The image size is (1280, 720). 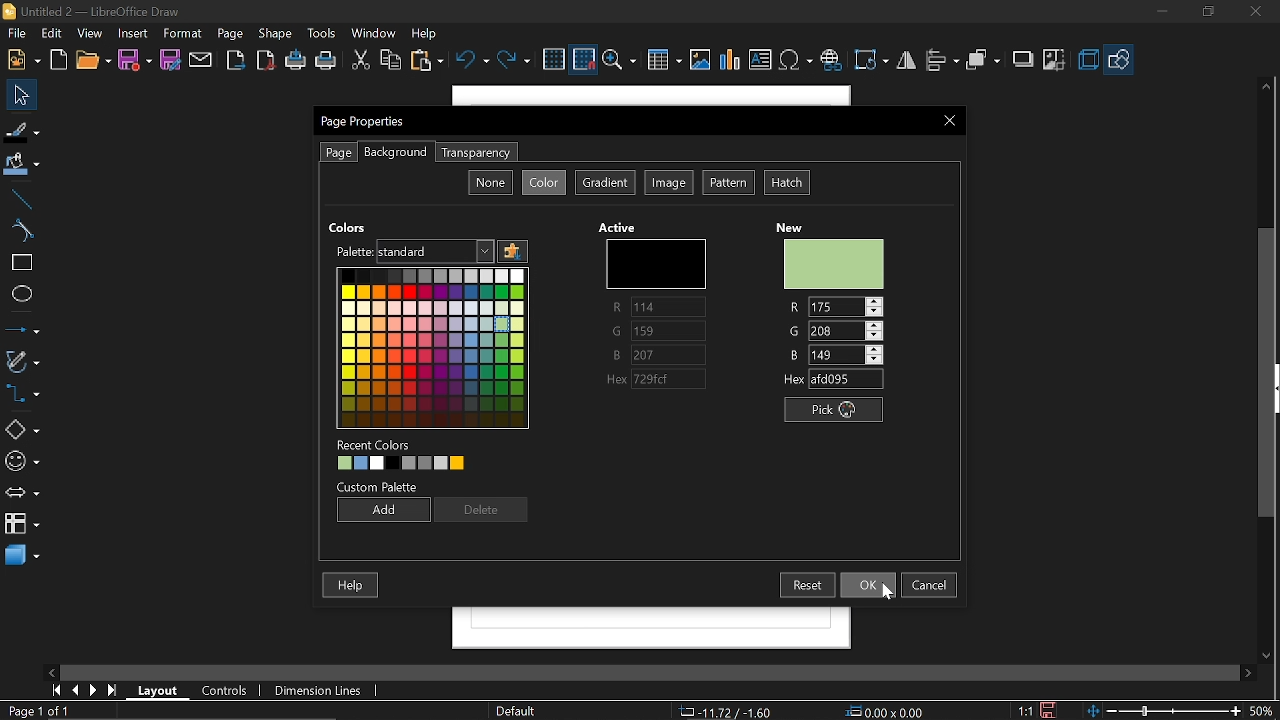 I want to click on Recent colors, so click(x=376, y=444).